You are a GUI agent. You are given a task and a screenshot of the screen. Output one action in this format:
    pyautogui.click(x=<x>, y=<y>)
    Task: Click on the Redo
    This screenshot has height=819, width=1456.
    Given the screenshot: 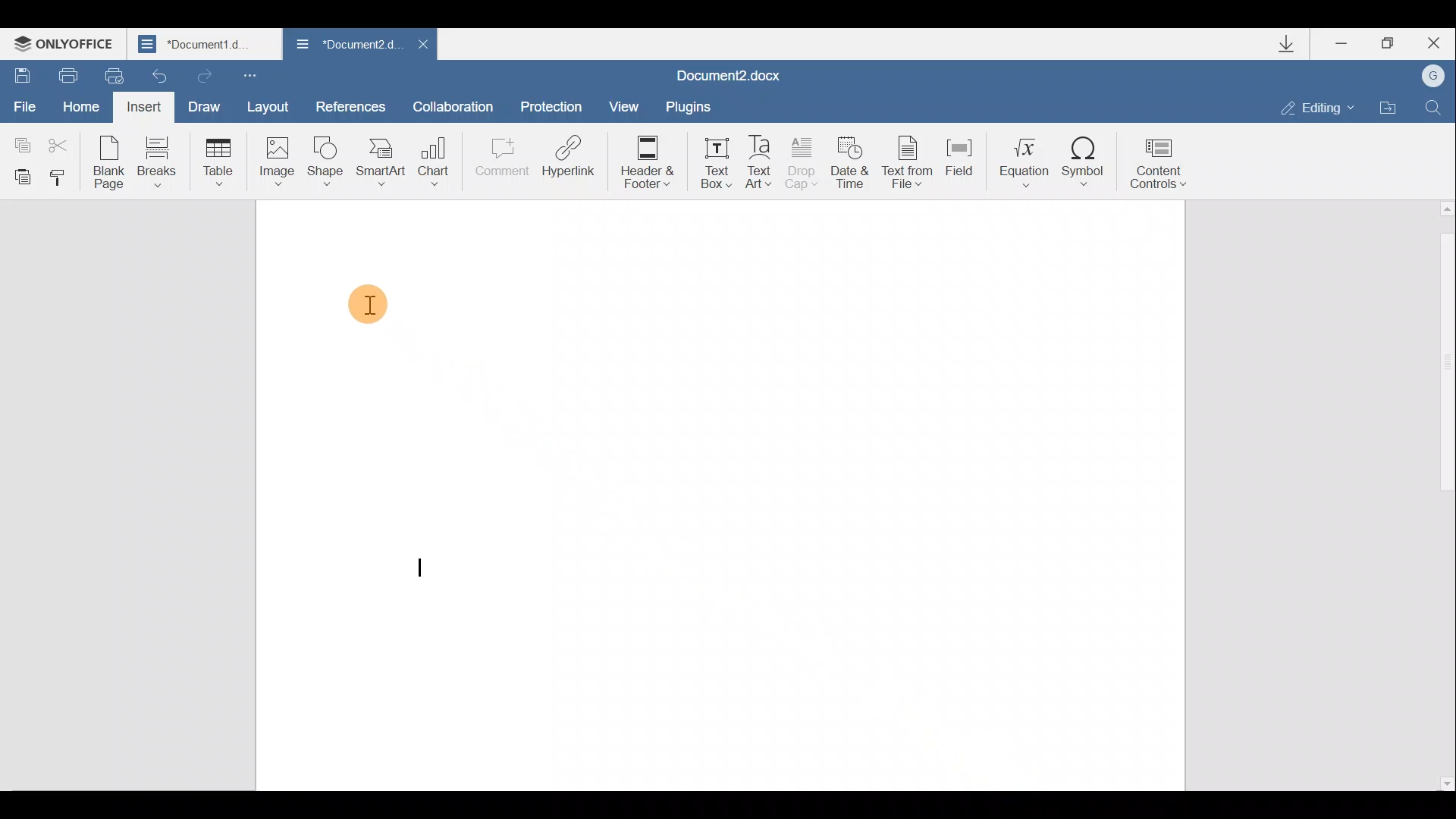 What is the action you would take?
    pyautogui.click(x=204, y=75)
    